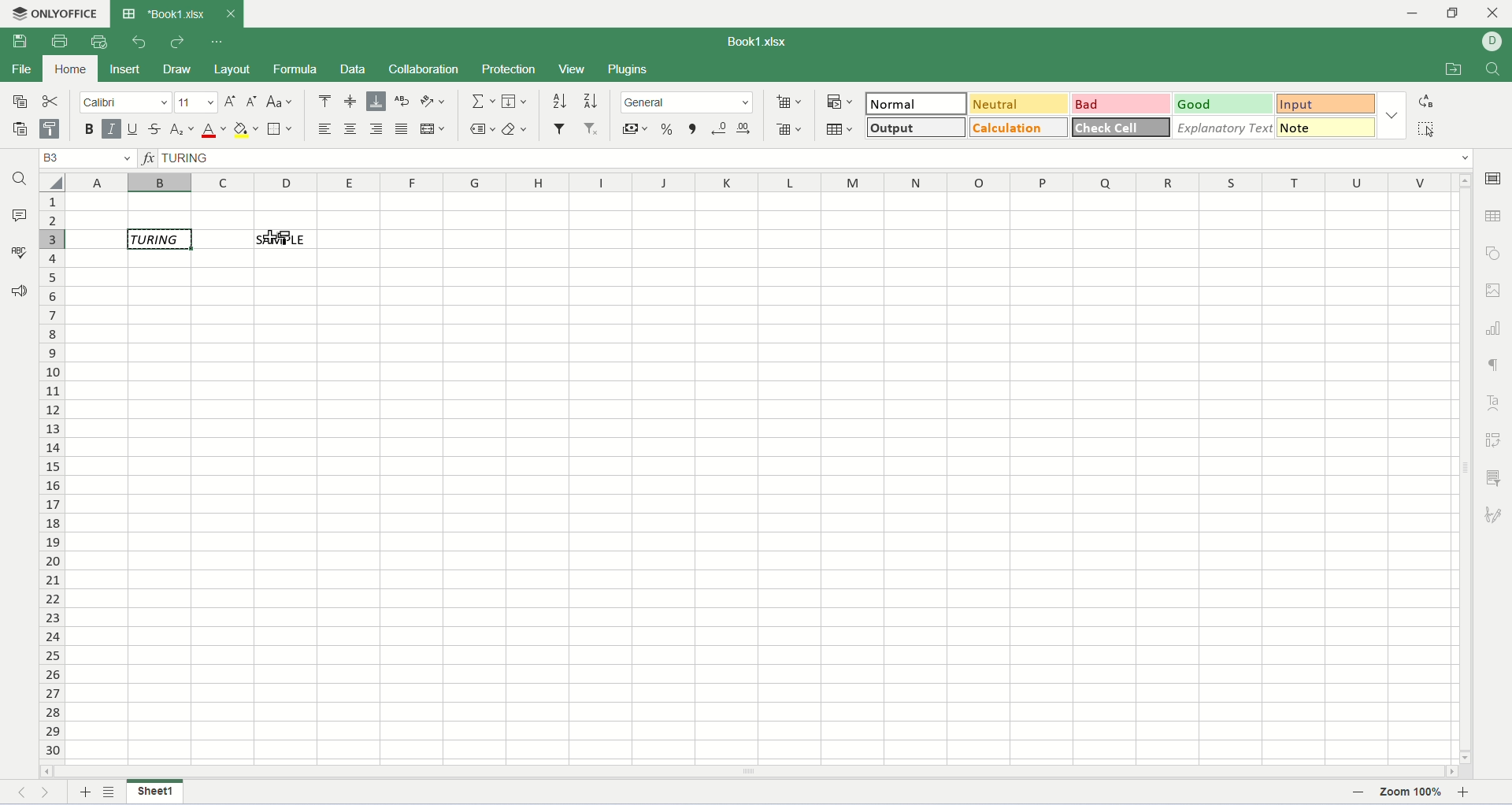  I want to click on currency style, so click(636, 132).